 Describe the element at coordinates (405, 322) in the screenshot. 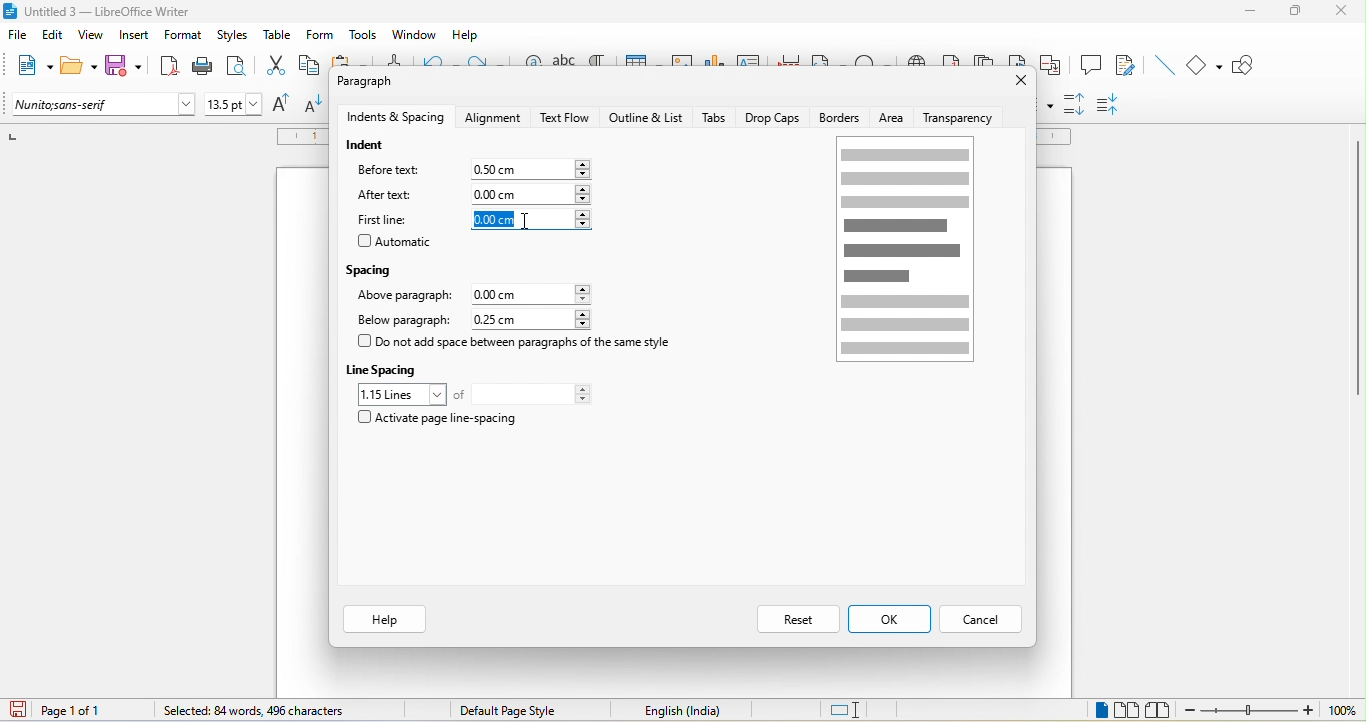

I see `below paragraph` at that location.